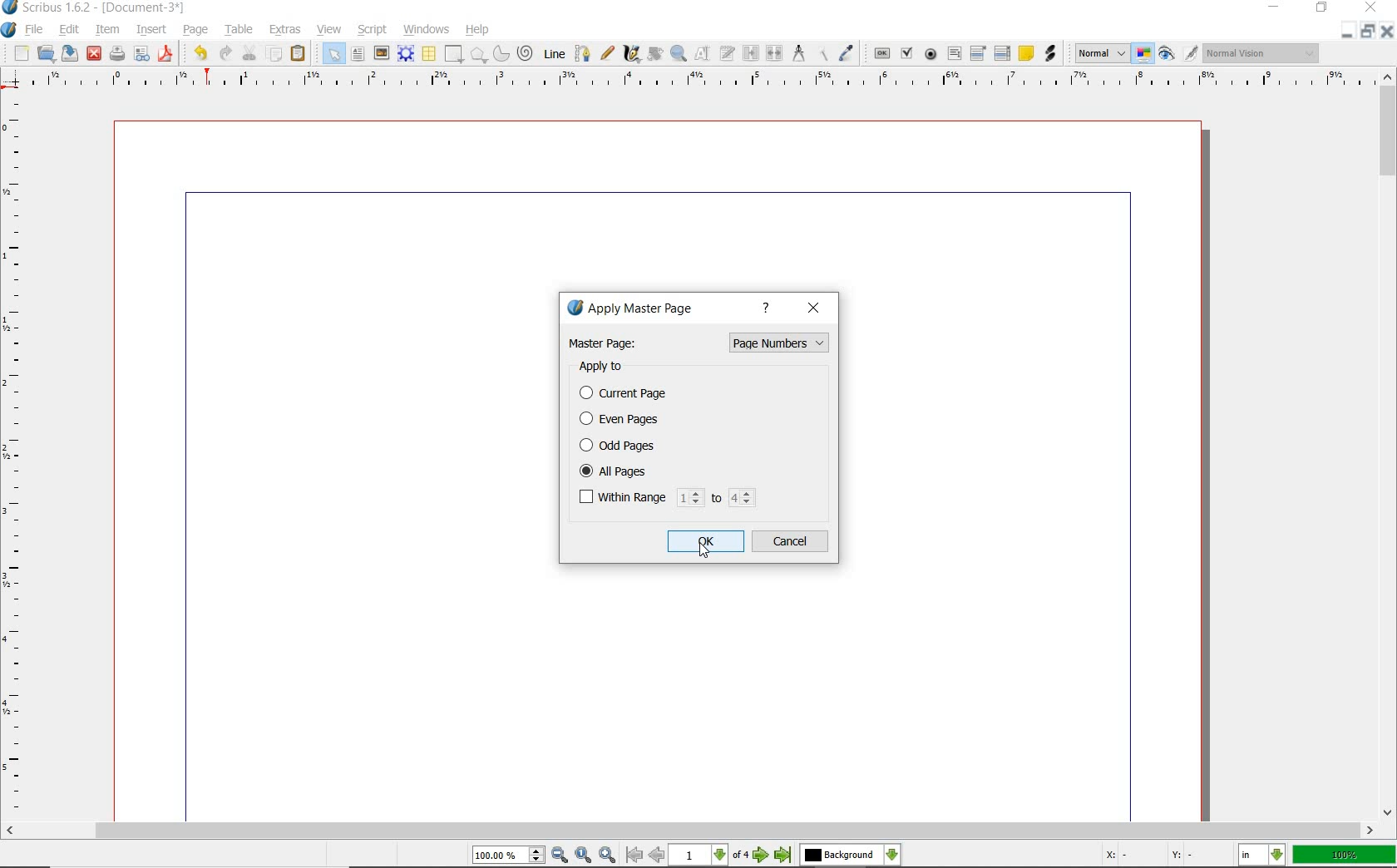 Image resolution: width=1397 pixels, height=868 pixels. What do you see at coordinates (106, 30) in the screenshot?
I see `item` at bounding box center [106, 30].